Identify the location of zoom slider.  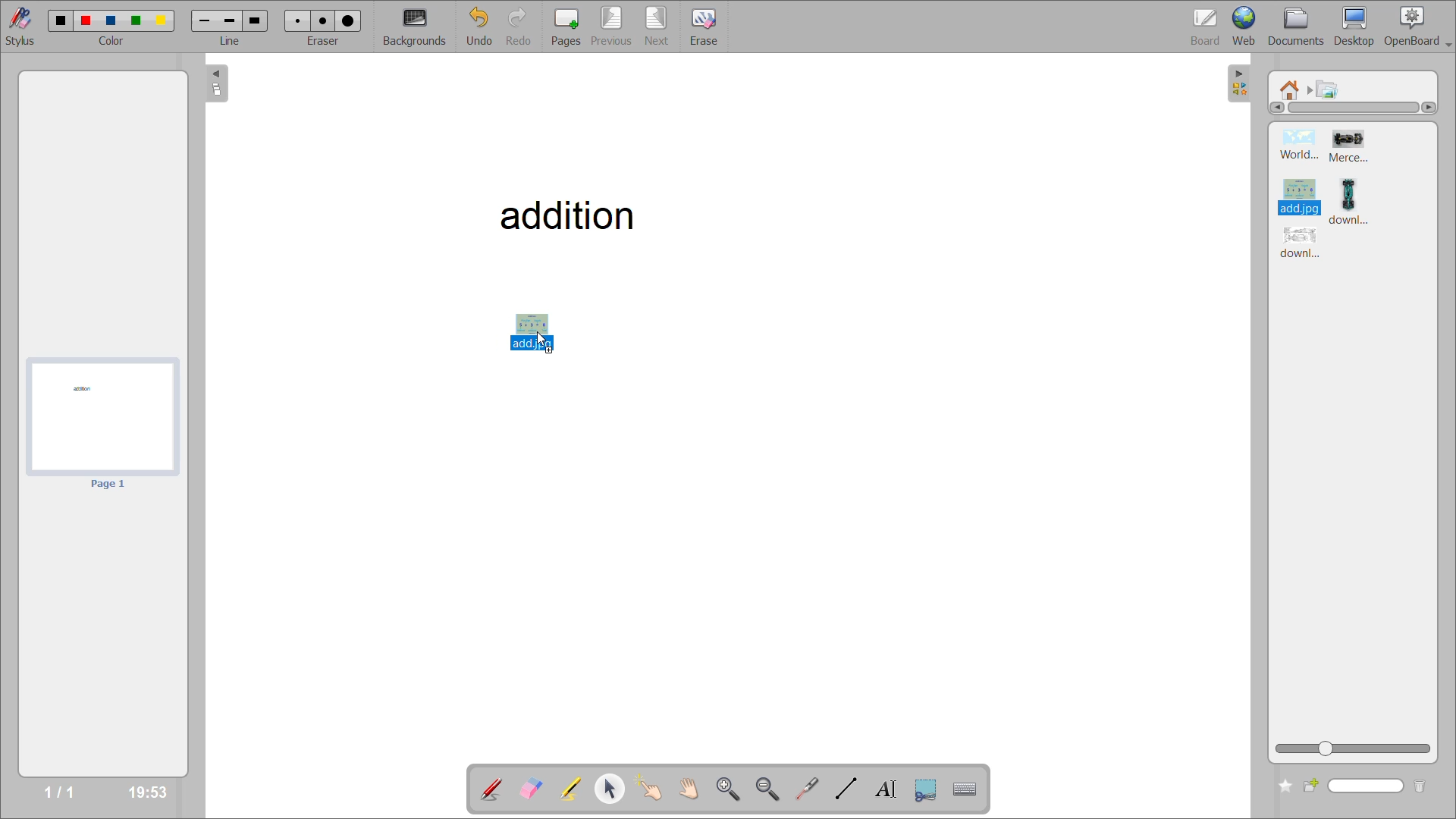
(1354, 749).